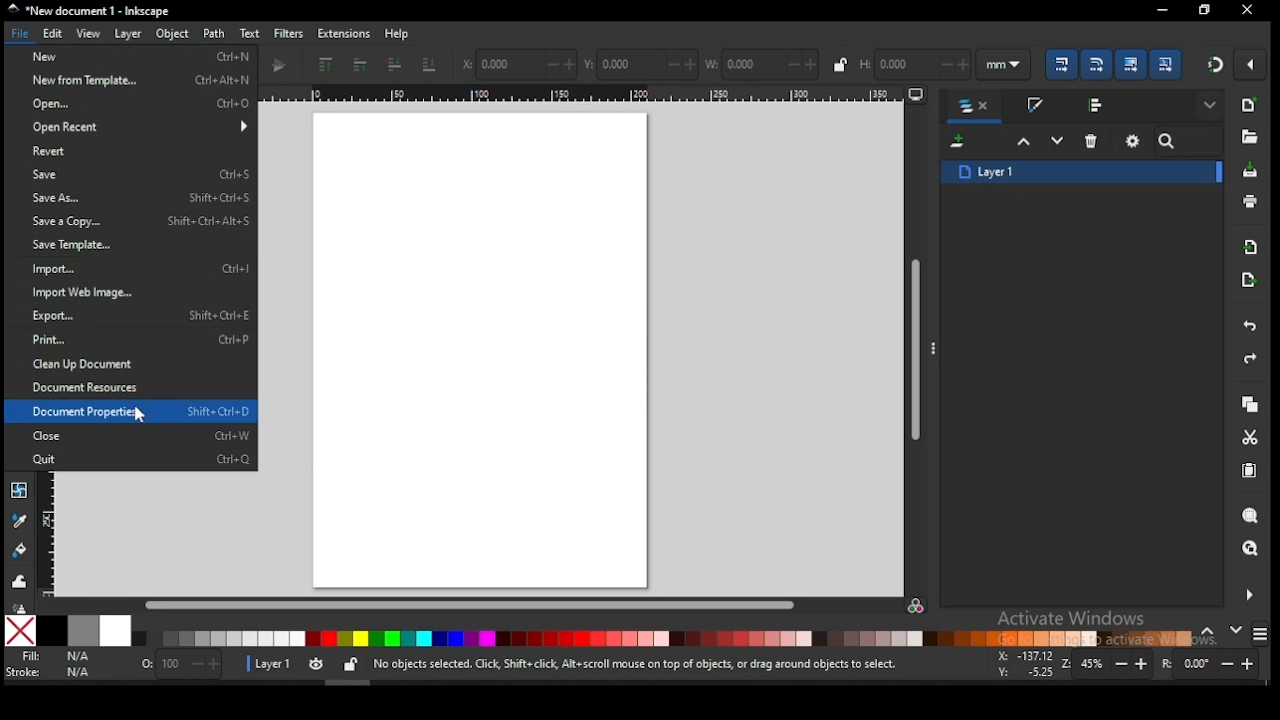 This screenshot has width=1280, height=720. What do you see at coordinates (1251, 247) in the screenshot?
I see `import` at bounding box center [1251, 247].